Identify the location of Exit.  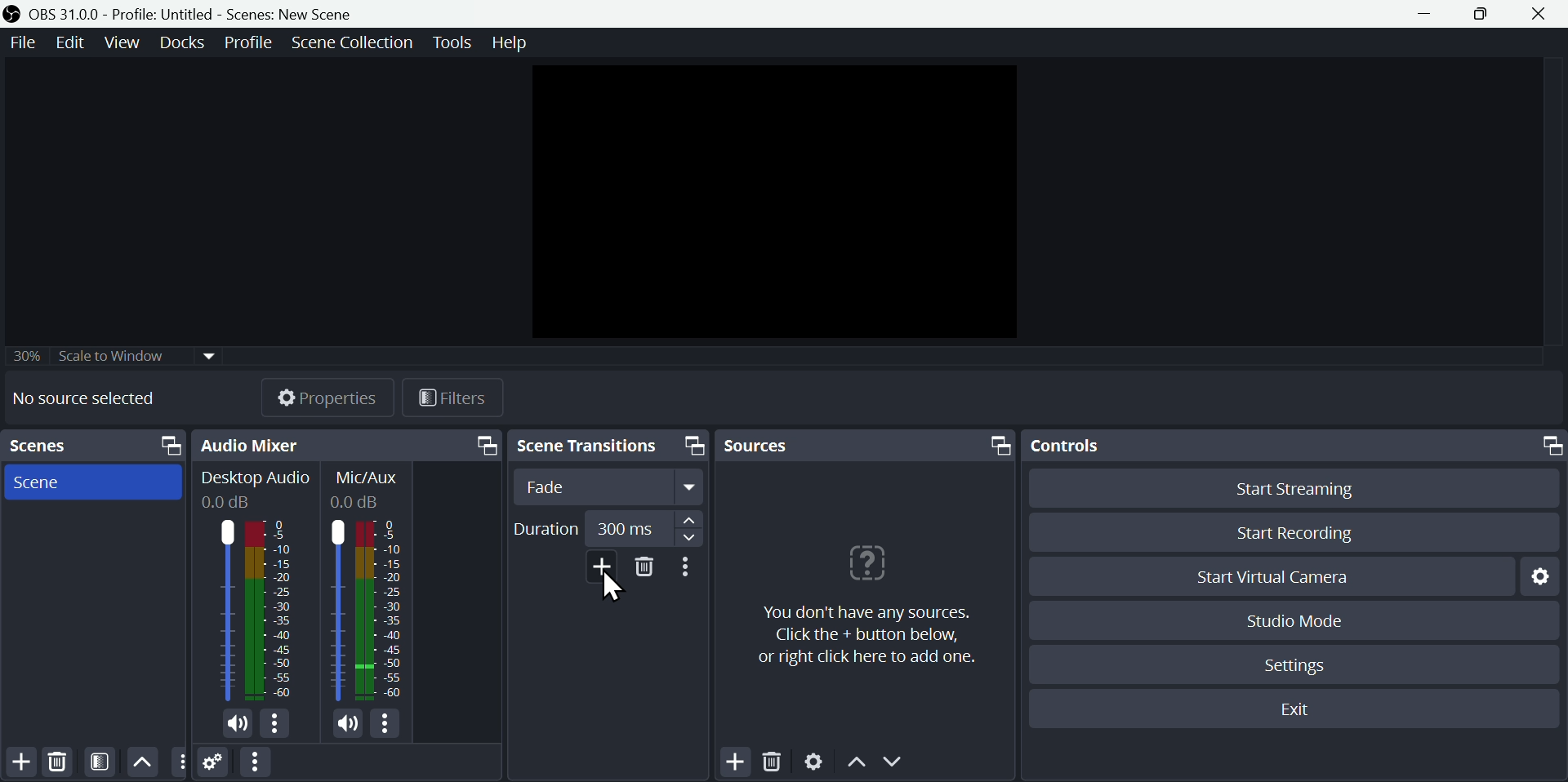
(1298, 711).